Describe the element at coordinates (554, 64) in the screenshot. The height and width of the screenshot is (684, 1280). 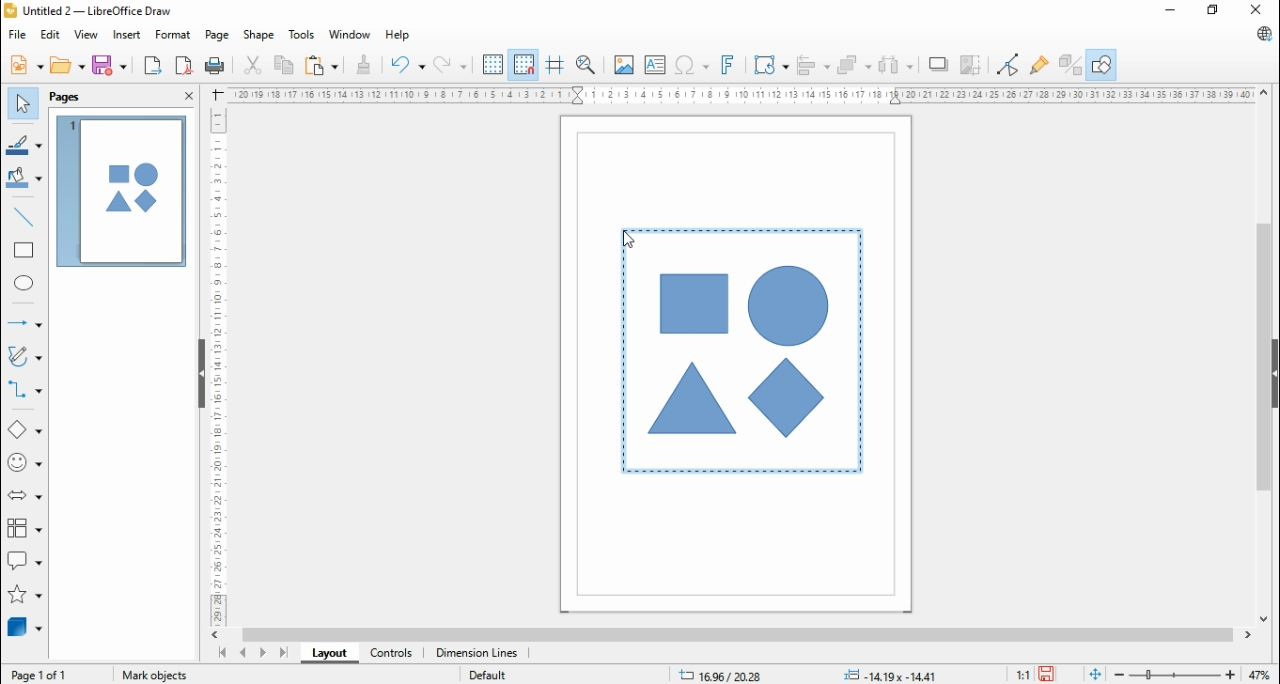
I see `helplines while moving` at that location.